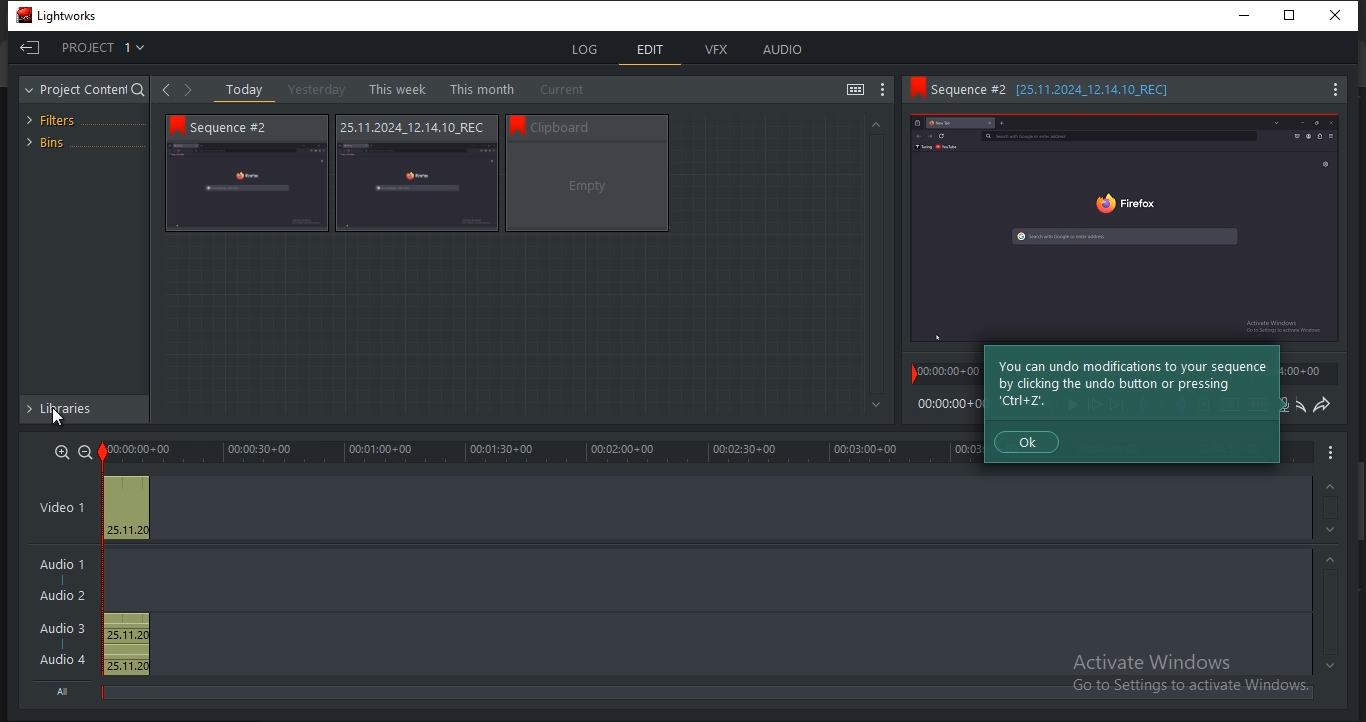 The height and width of the screenshot is (722, 1366). What do you see at coordinates (1309, 374) in the screenshot?
I see `time stamp` at bounding box center [1309, 374].